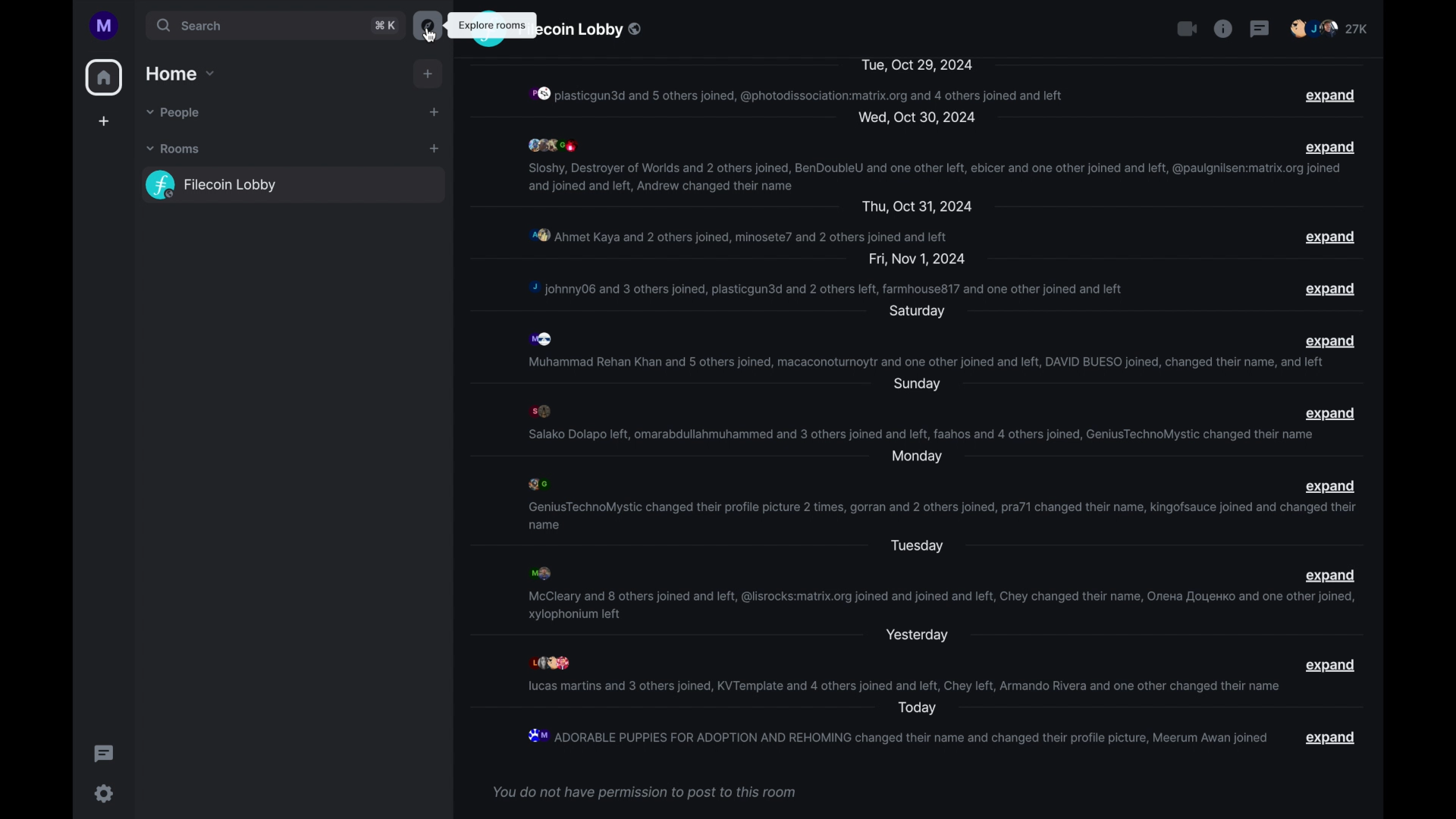 The width and height of the screenshot is (1456, 819). What do you see at coordinates (492, 26) in the screenshot?
I see `explore rooms` at bounding box center [492, 26].